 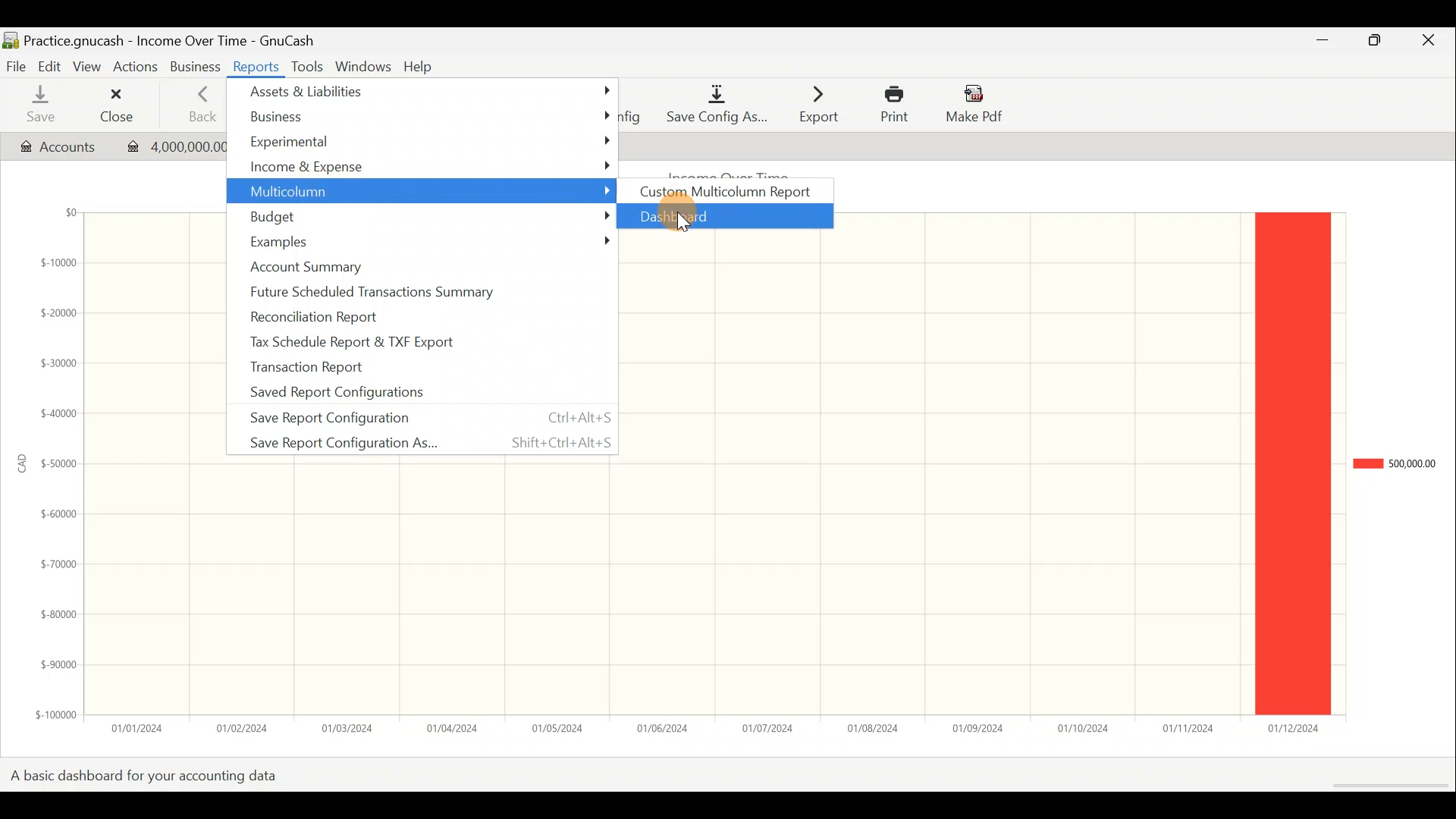 I want to click on Save report configuration, so click(x=420, y=419).